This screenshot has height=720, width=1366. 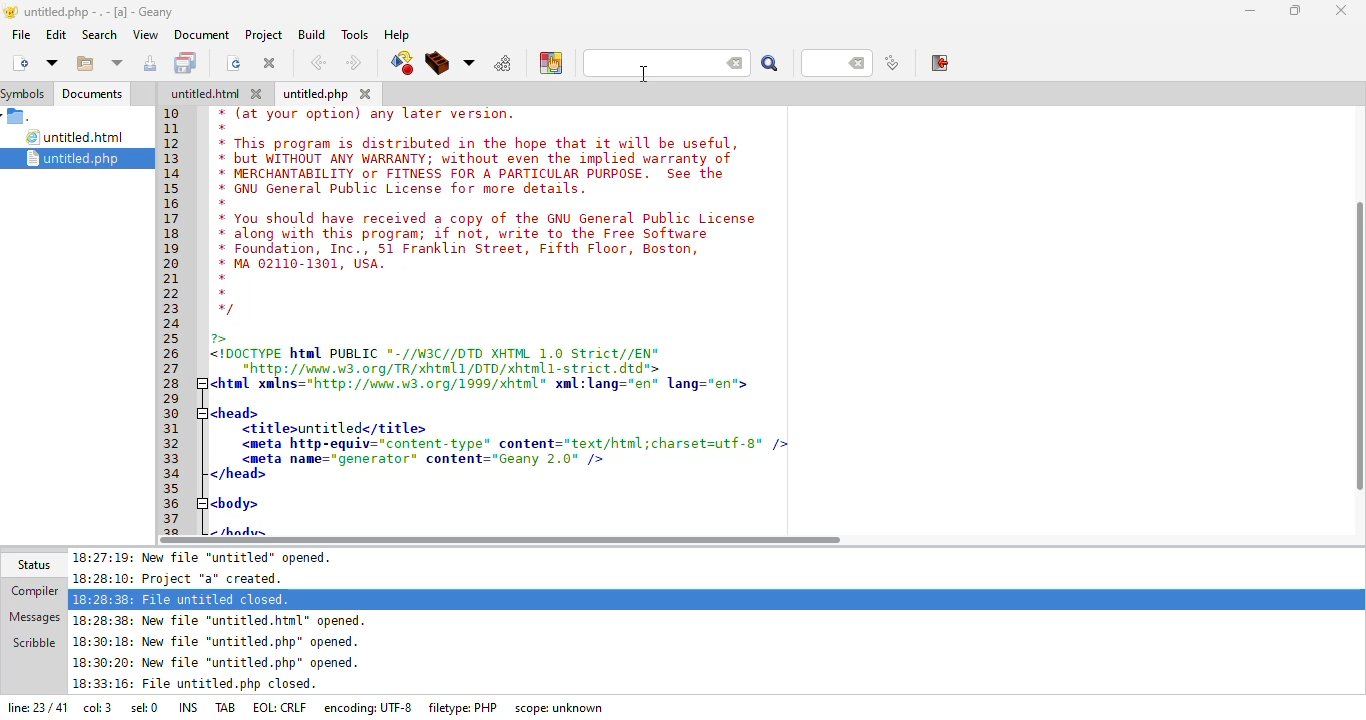 What do you see at coordinates (371, 114) in the screenshot?
I see `* (at your option) any later version.` at bounding box center [371, 114].